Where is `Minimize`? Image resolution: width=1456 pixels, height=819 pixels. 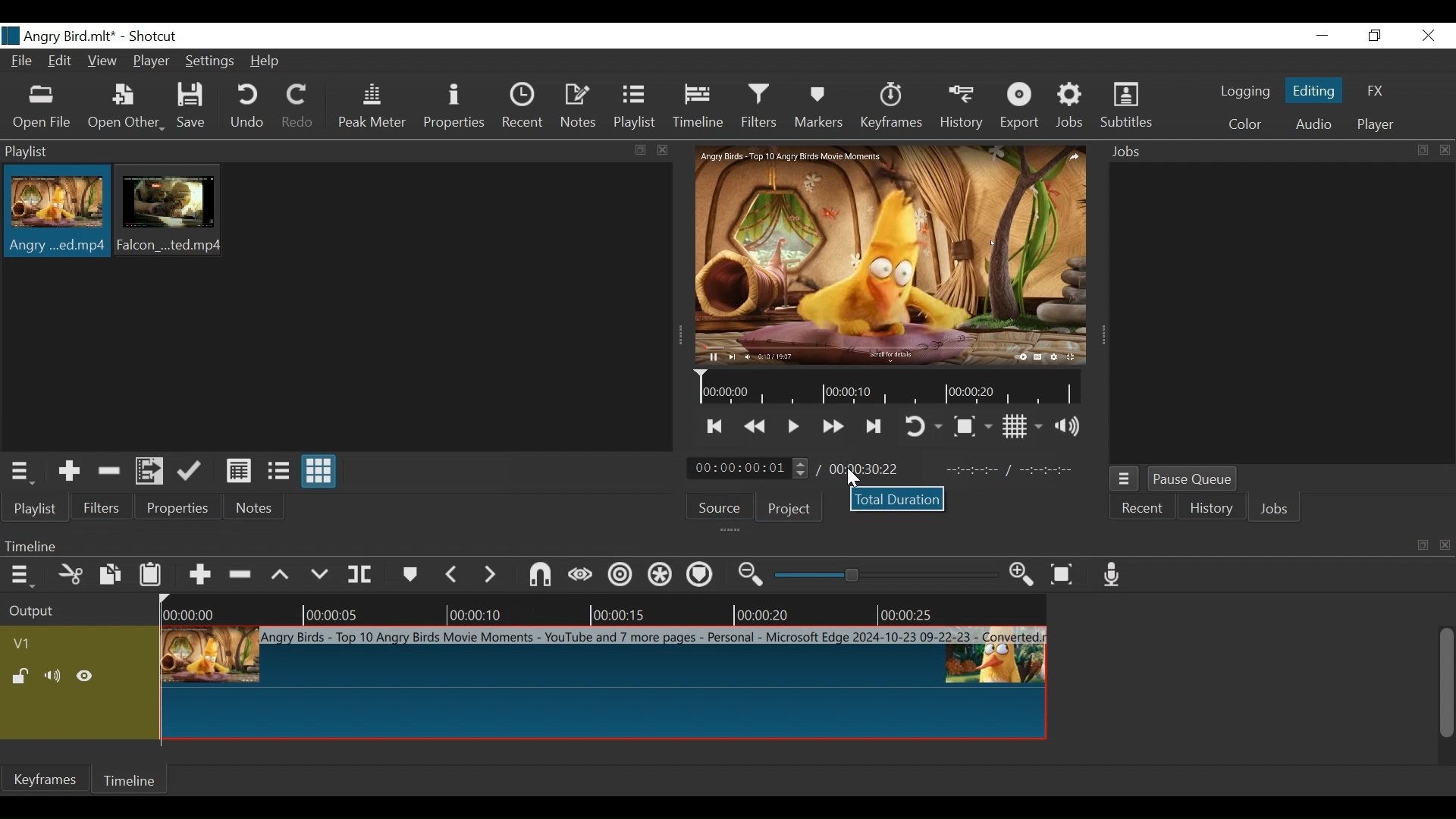
Minimize is located at coordinates (1323, 35).